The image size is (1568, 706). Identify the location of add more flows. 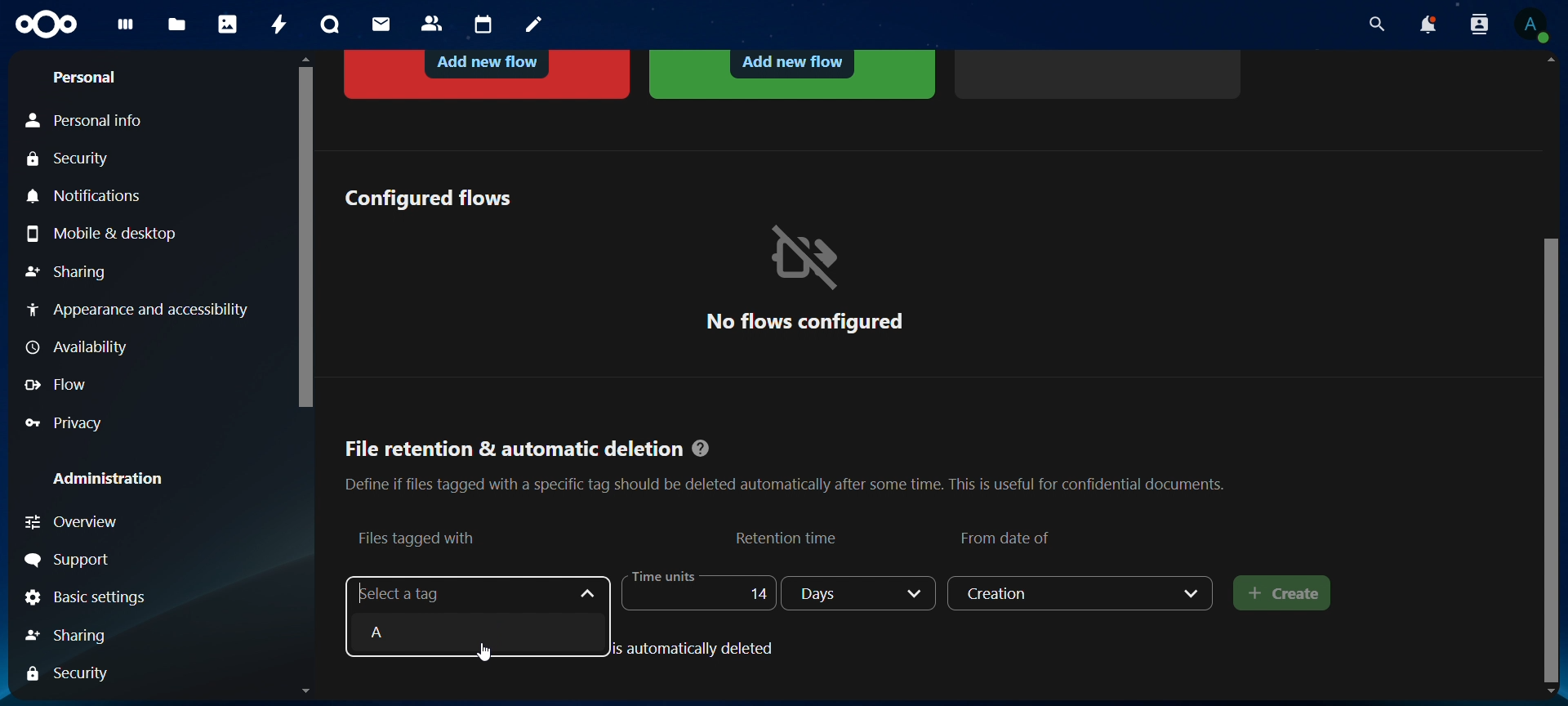
(1101, 72).